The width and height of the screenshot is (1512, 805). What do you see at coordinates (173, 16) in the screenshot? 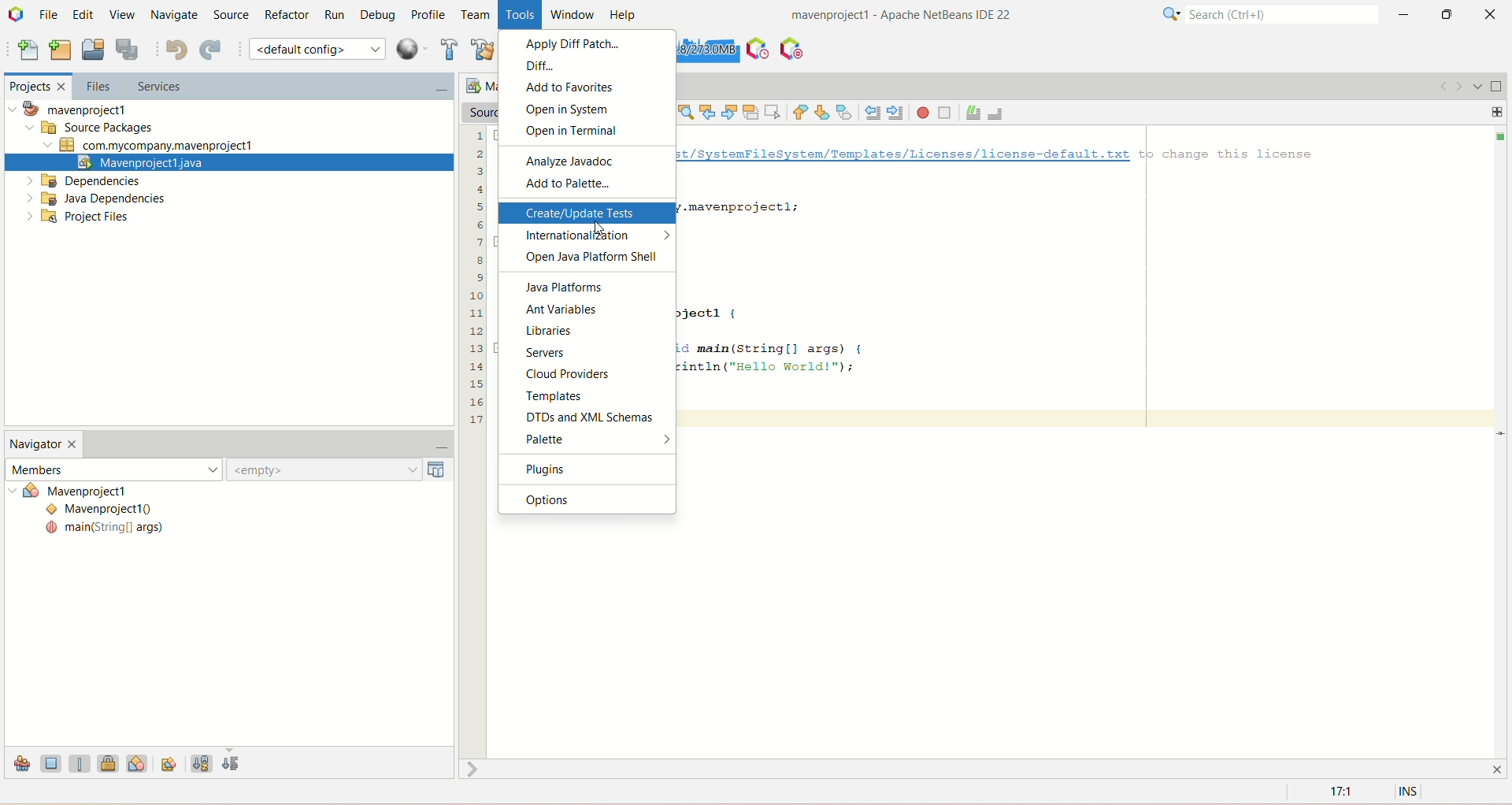
I see `navigate` at bounding box center [173, 16].